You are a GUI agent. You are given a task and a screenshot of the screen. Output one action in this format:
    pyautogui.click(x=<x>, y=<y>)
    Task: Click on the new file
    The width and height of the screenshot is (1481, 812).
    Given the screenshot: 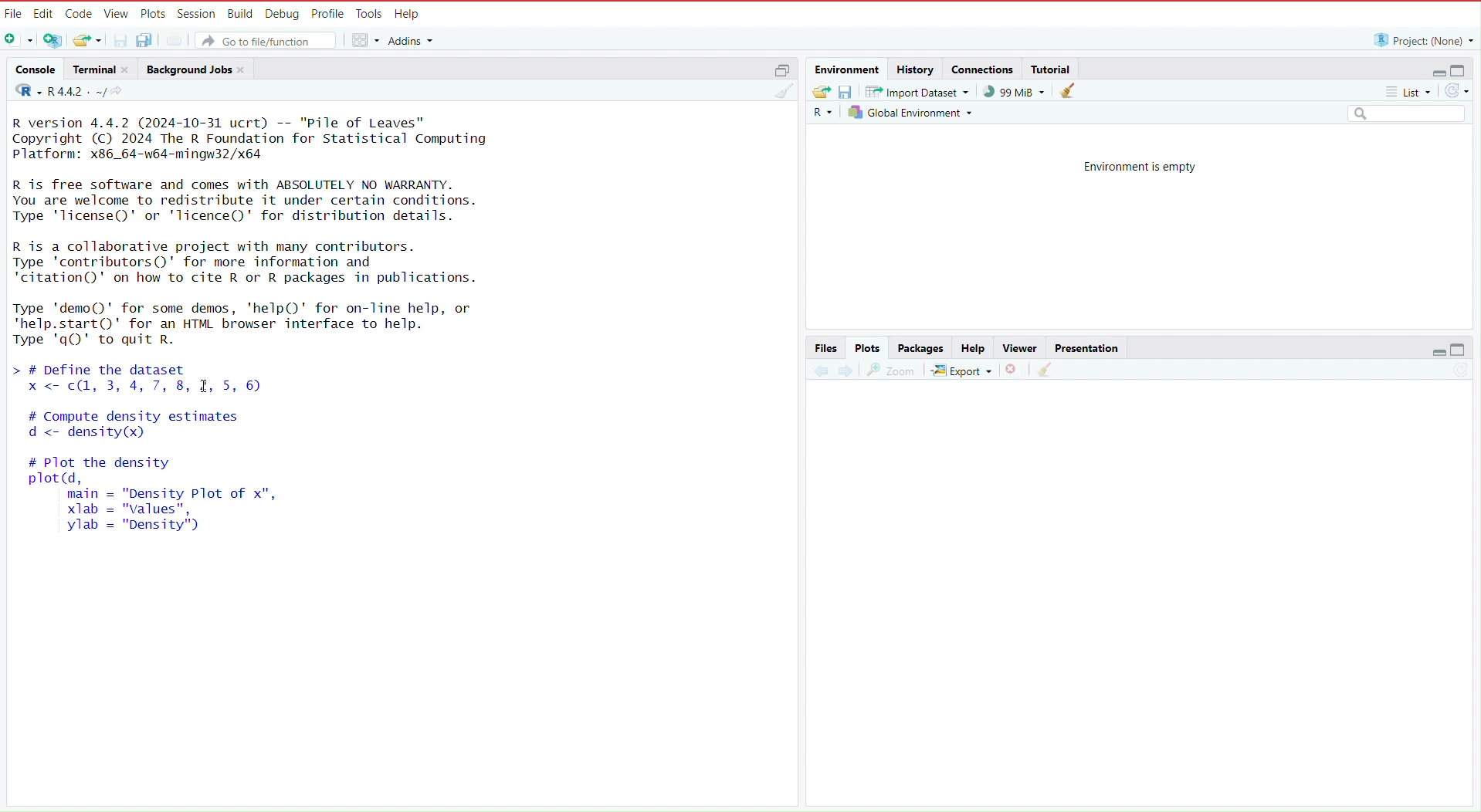 What is the action you would take?
    pyautogui.click(x=18, y=39)
    